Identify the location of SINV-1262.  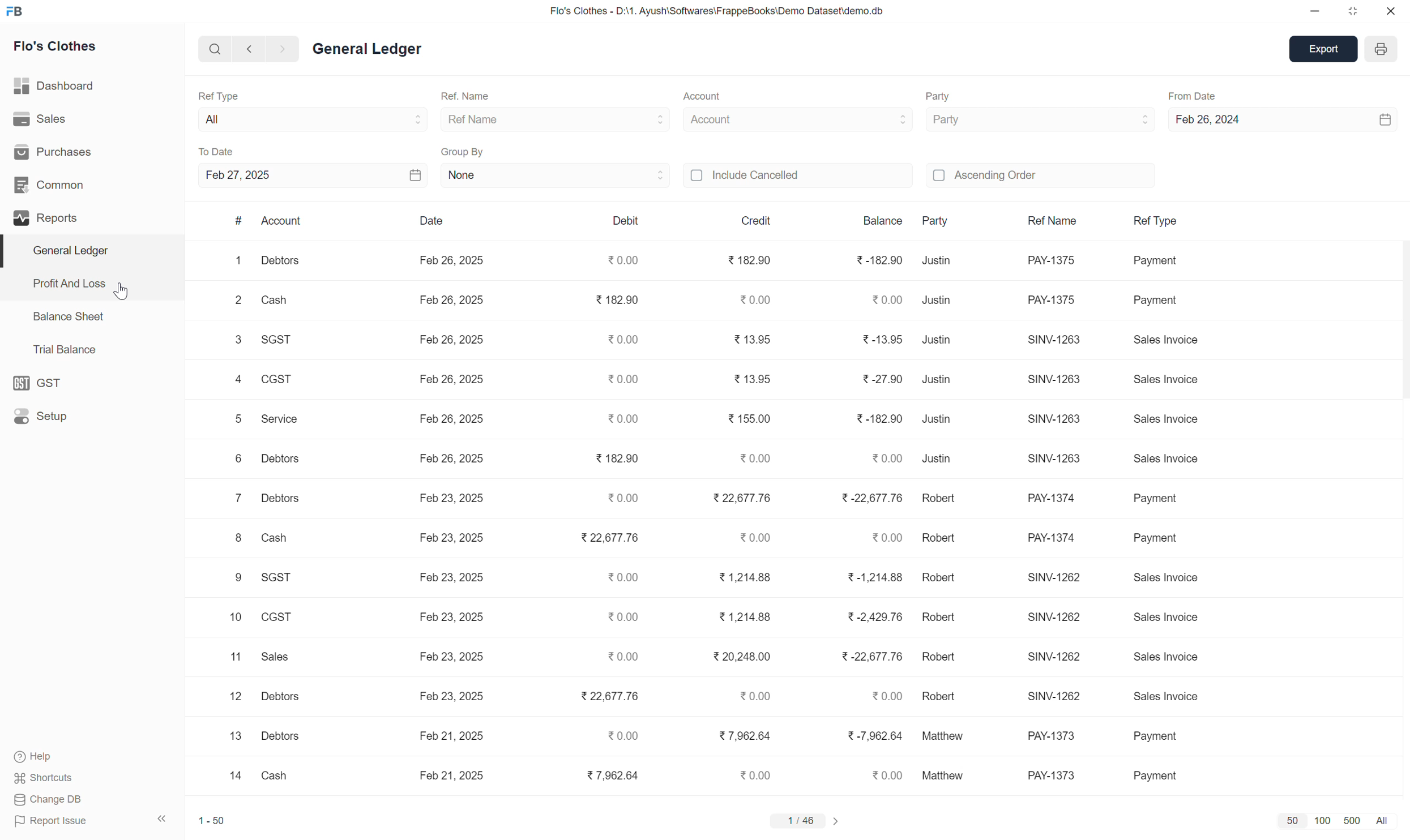
(1057, 616).